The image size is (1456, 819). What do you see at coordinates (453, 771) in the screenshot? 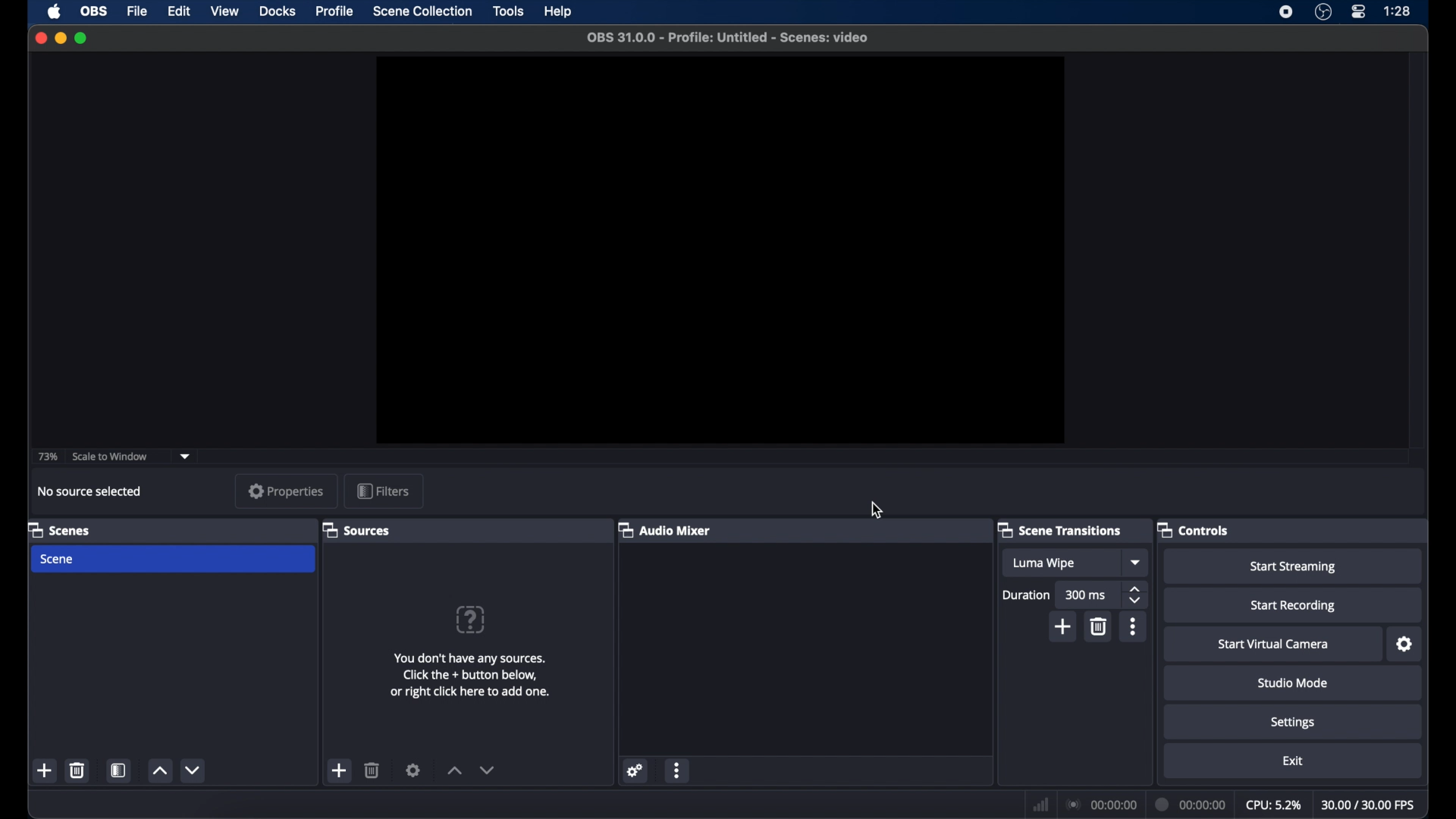
I see `increment` at bounding box center [453, 771].